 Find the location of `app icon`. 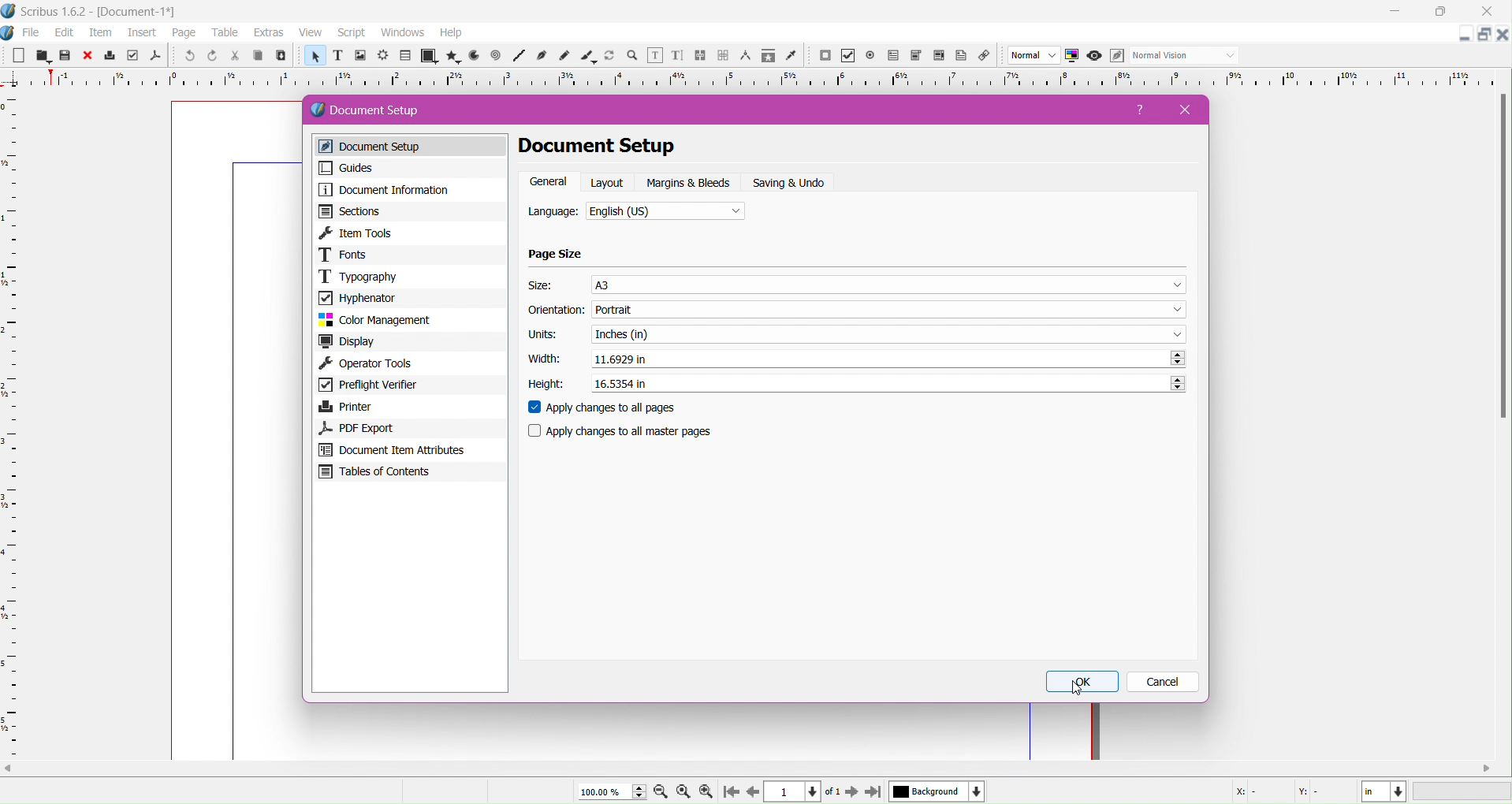

app icon is located at coordinates (9, 11).